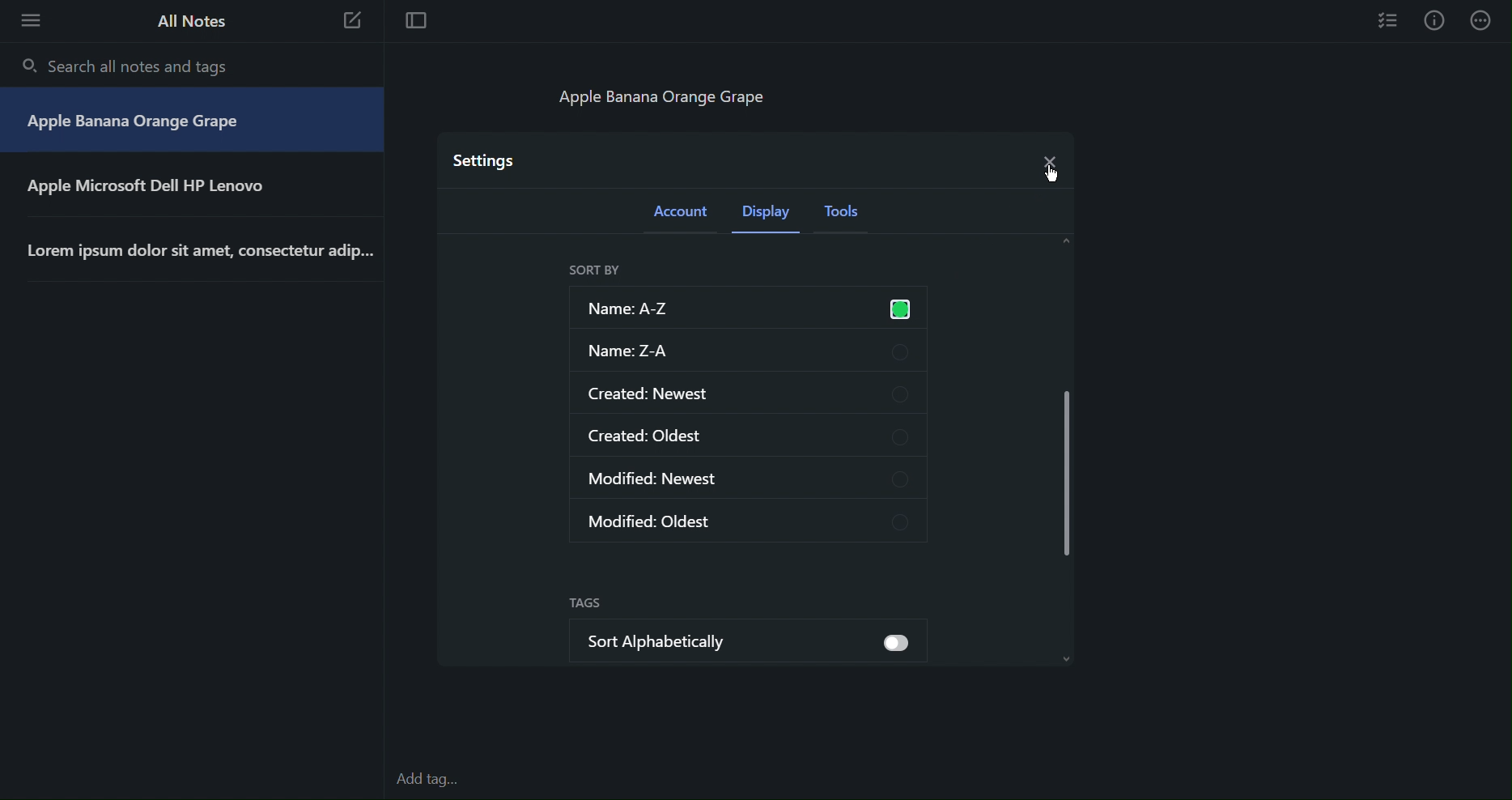 The width and height of the screenshot is (1512, 800). What do you see at coordinates (744, 307) in the screenshot?
I see `Name: A-Z` at bounding box center [744, 307].